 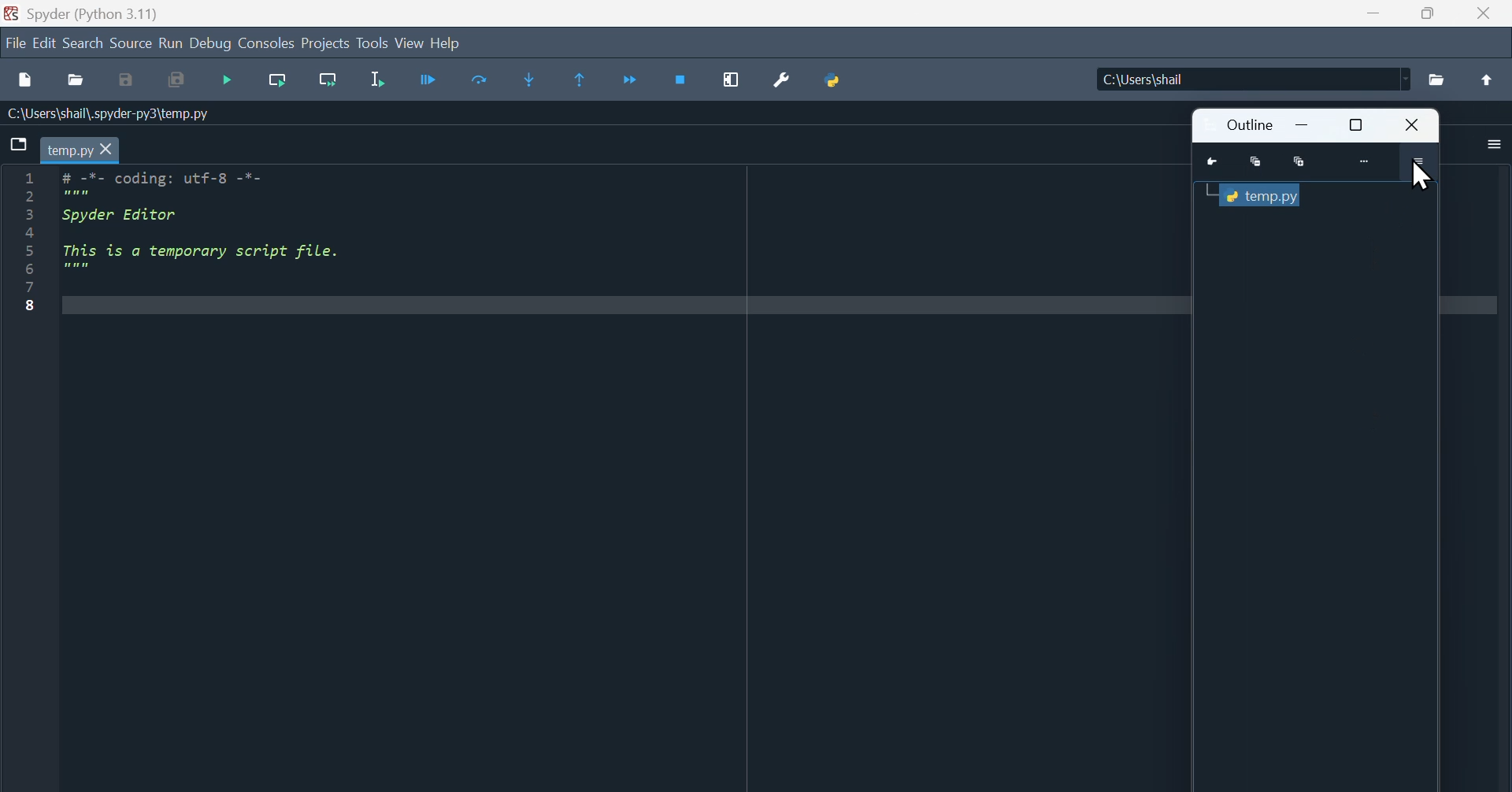 I want to click on minimize, so click(x=1374, y=13).